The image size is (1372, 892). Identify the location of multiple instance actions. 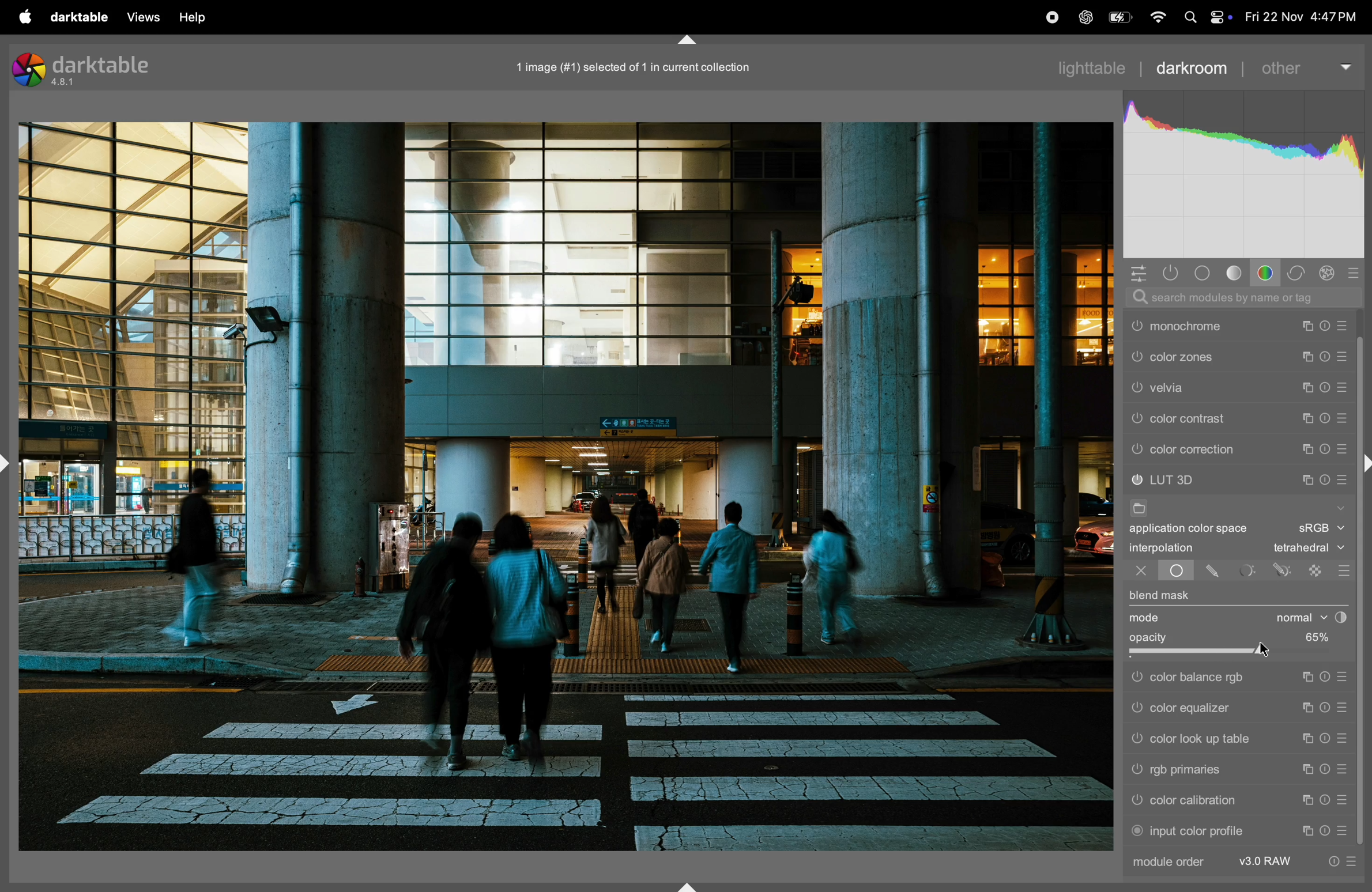
(1306, 801).